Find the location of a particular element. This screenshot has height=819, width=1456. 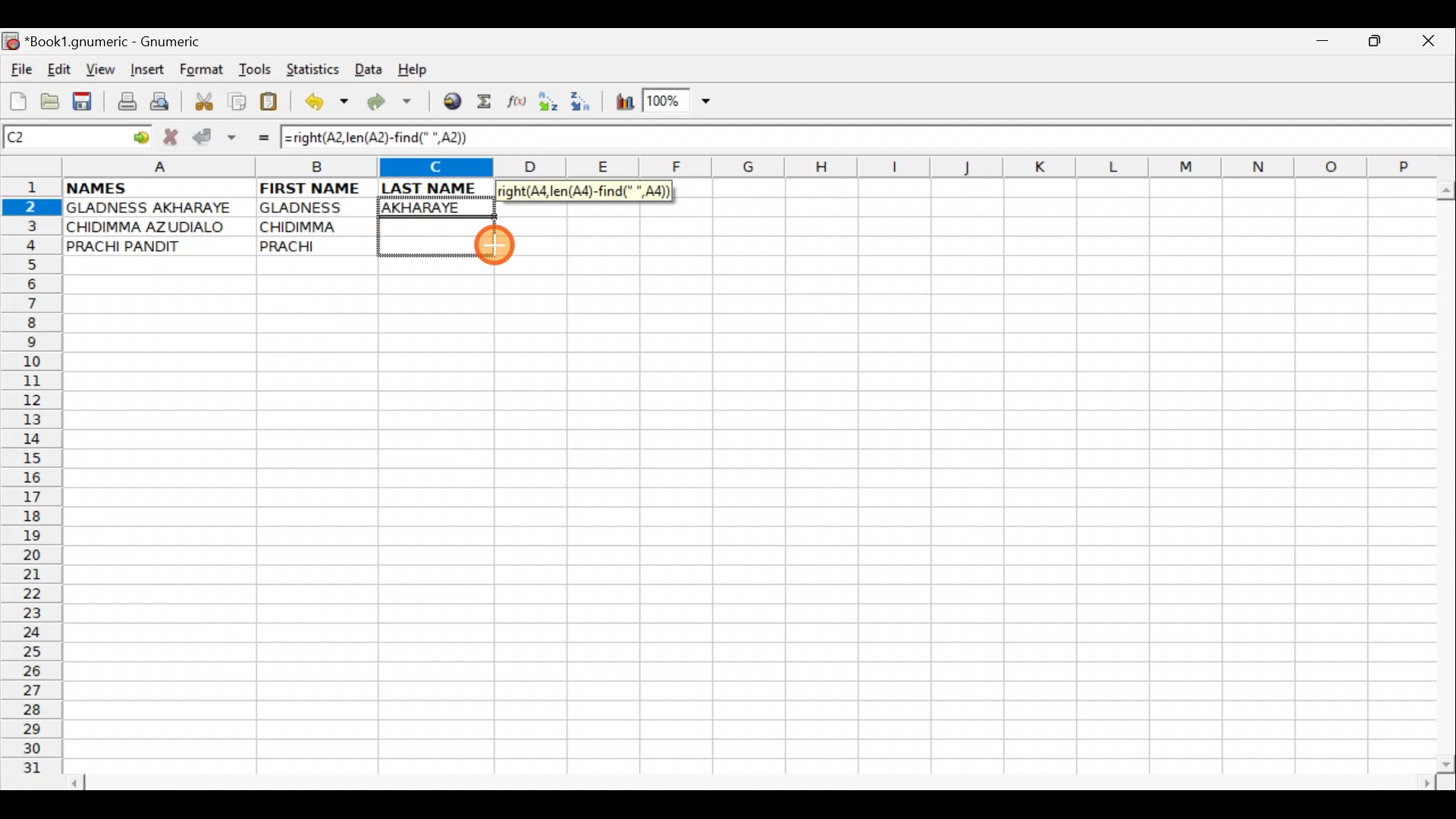

Statistics is located at coordinates (317, 68).